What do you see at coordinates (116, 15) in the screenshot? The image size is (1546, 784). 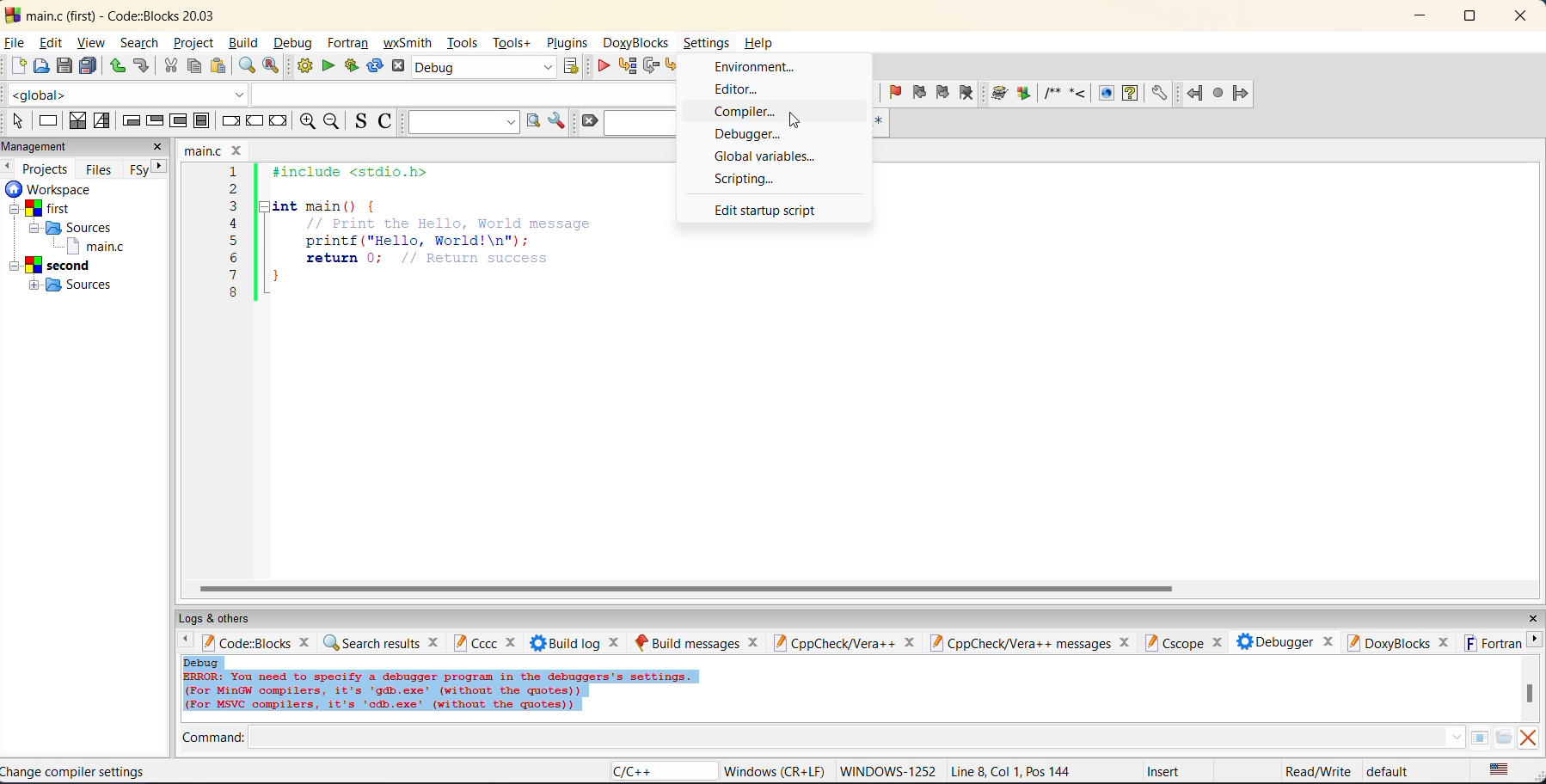 I see `main.c (first) - Code::Blocks 20.03` at bounding box center [116, 15].